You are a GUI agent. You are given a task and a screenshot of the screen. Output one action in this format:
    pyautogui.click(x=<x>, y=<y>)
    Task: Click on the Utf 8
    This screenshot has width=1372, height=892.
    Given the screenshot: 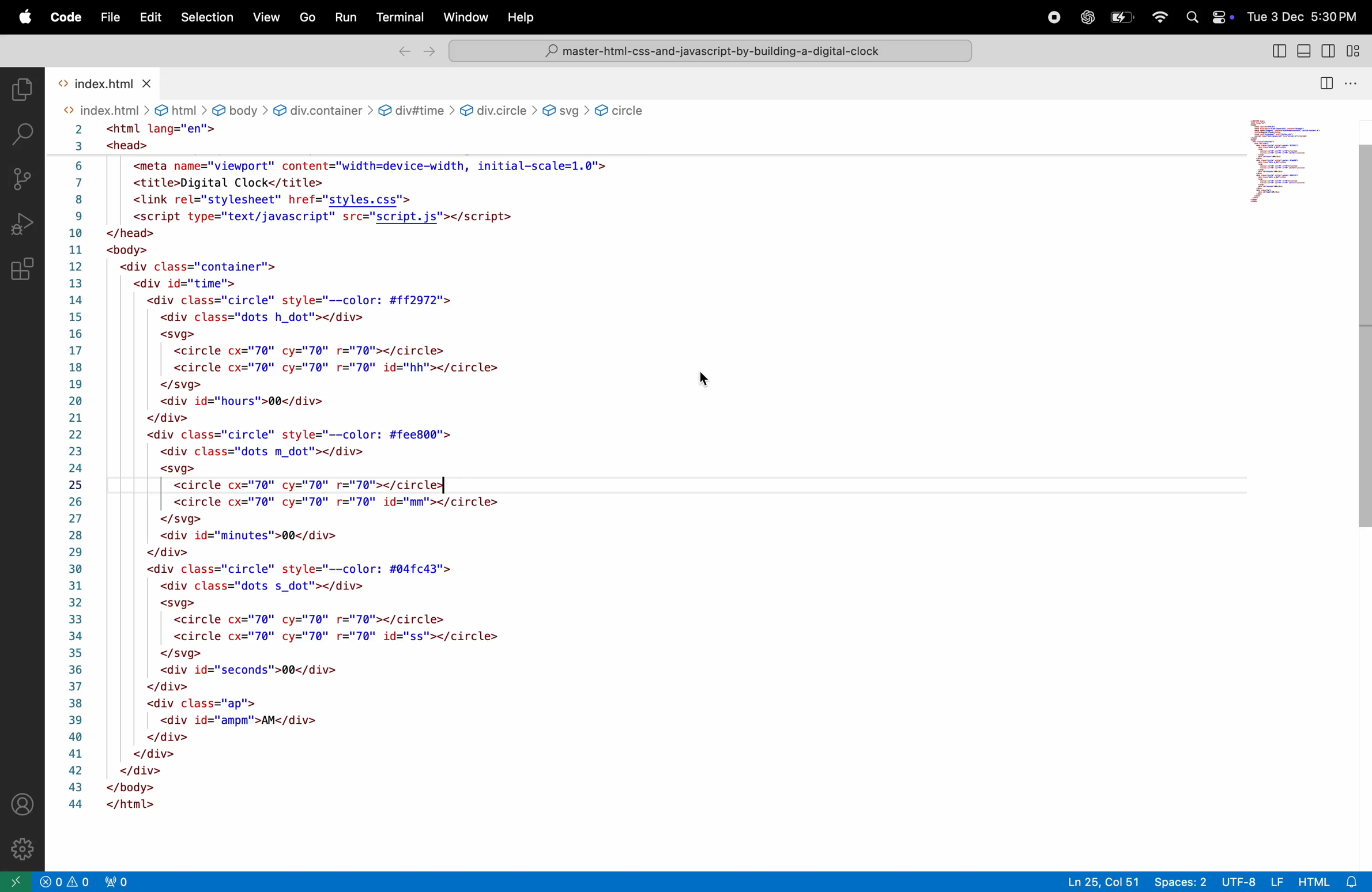 What is the action you would take?
    pyautogui.click(x=1252, y=880)
    